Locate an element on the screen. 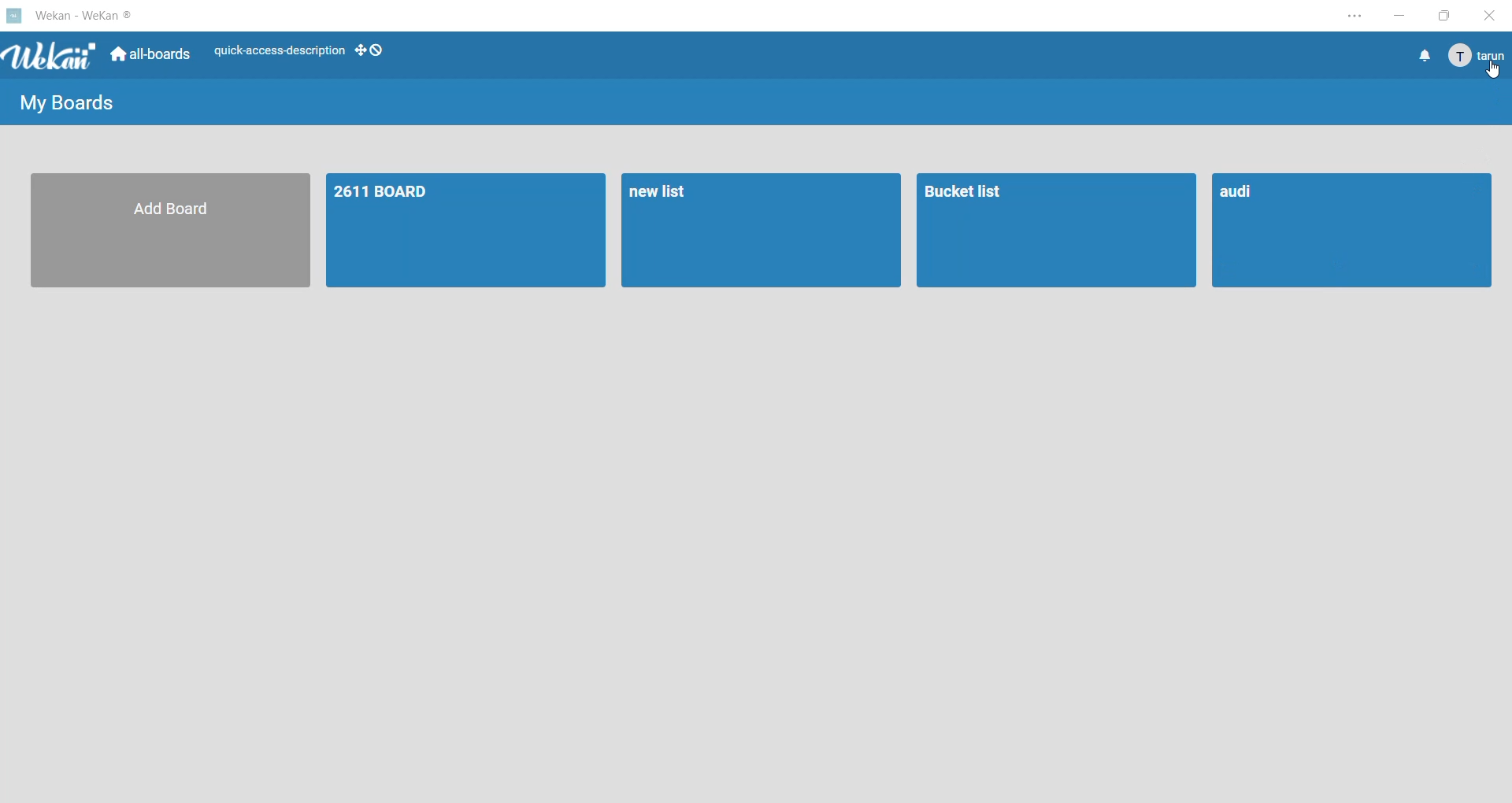 This screenshot has height=803, width=1512. my boards is located at coordinates (73, 101).